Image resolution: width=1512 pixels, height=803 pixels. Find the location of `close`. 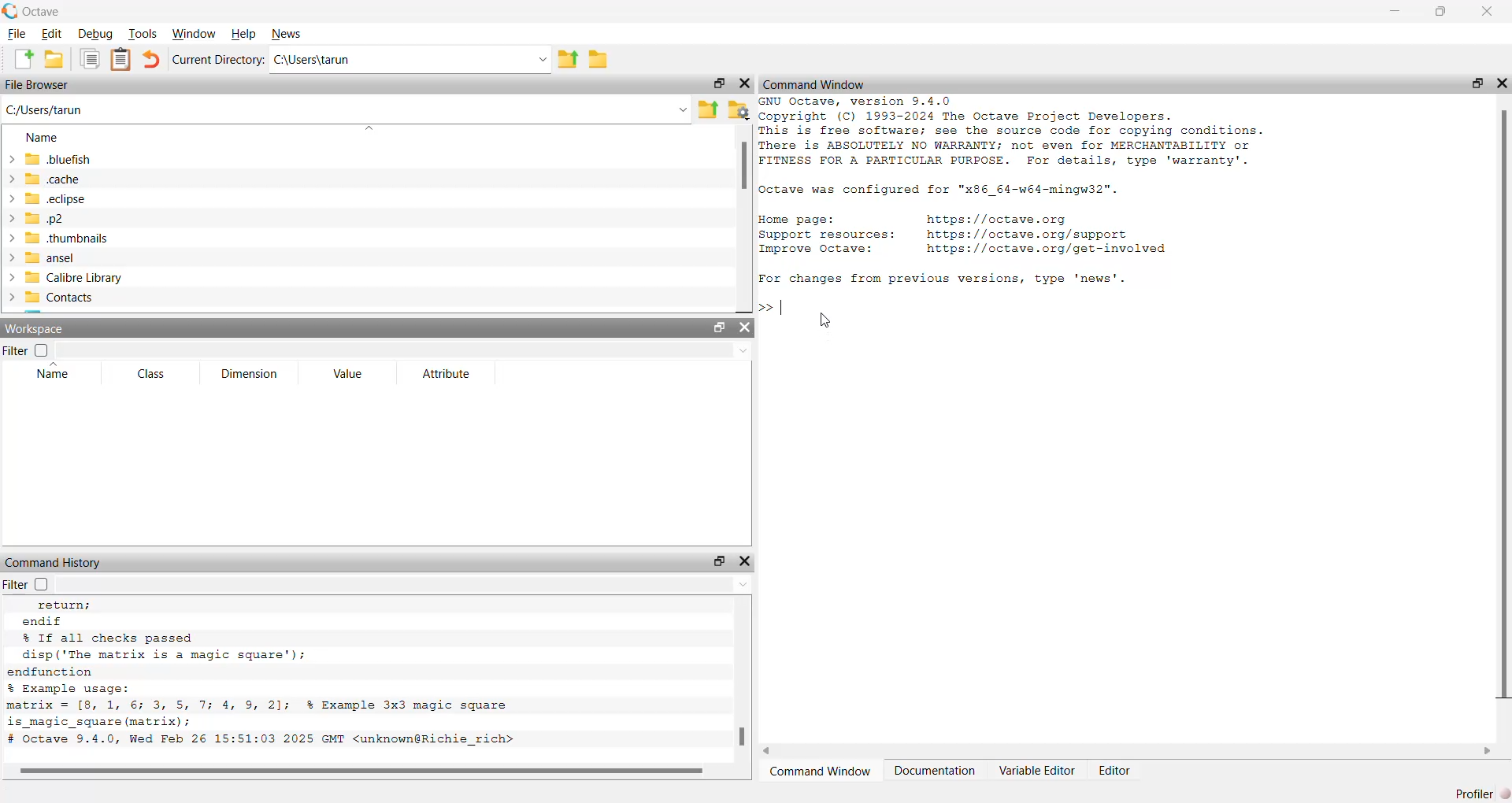

close is located at coordinates (746, 328).